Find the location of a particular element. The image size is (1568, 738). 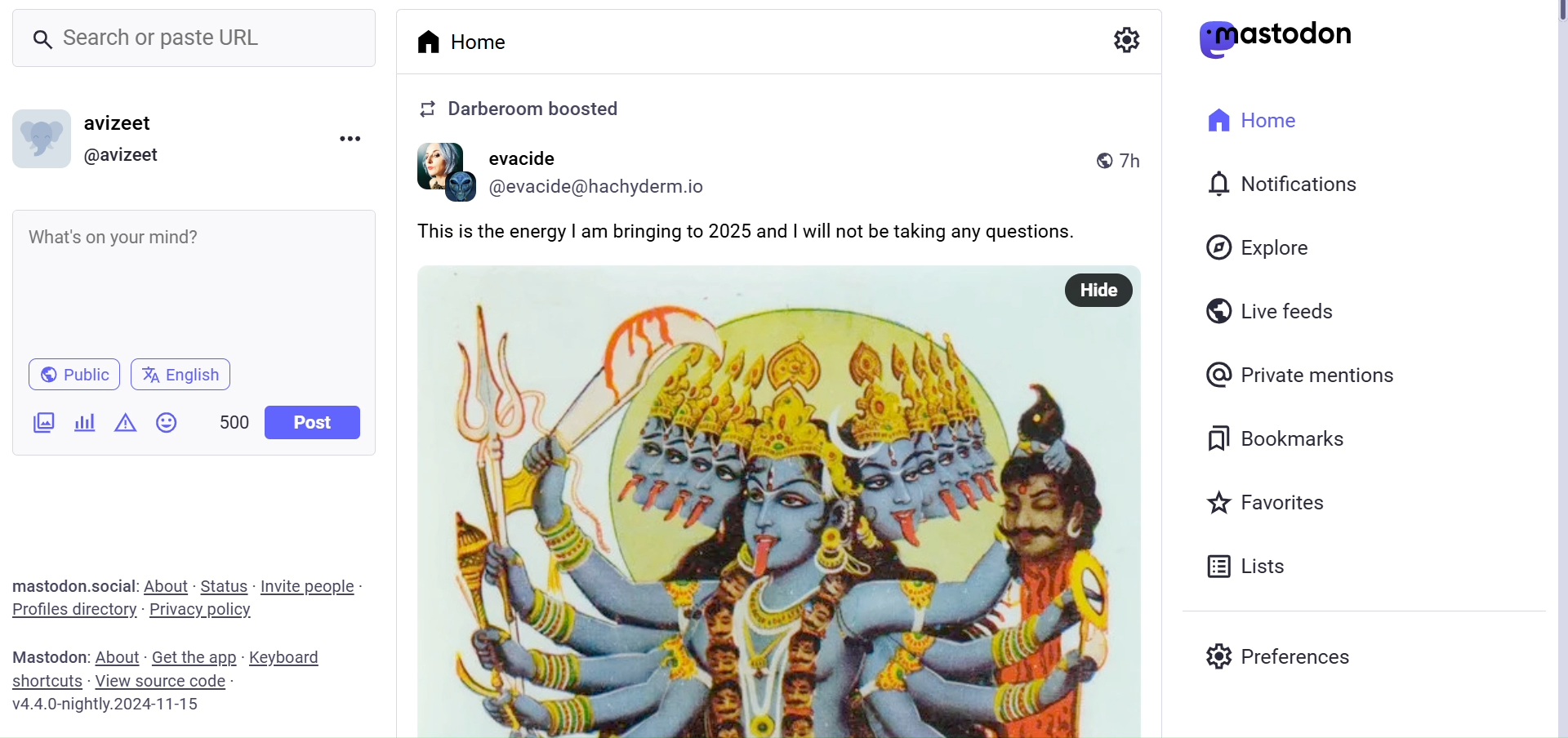

image is located at coordinates (438, 171).